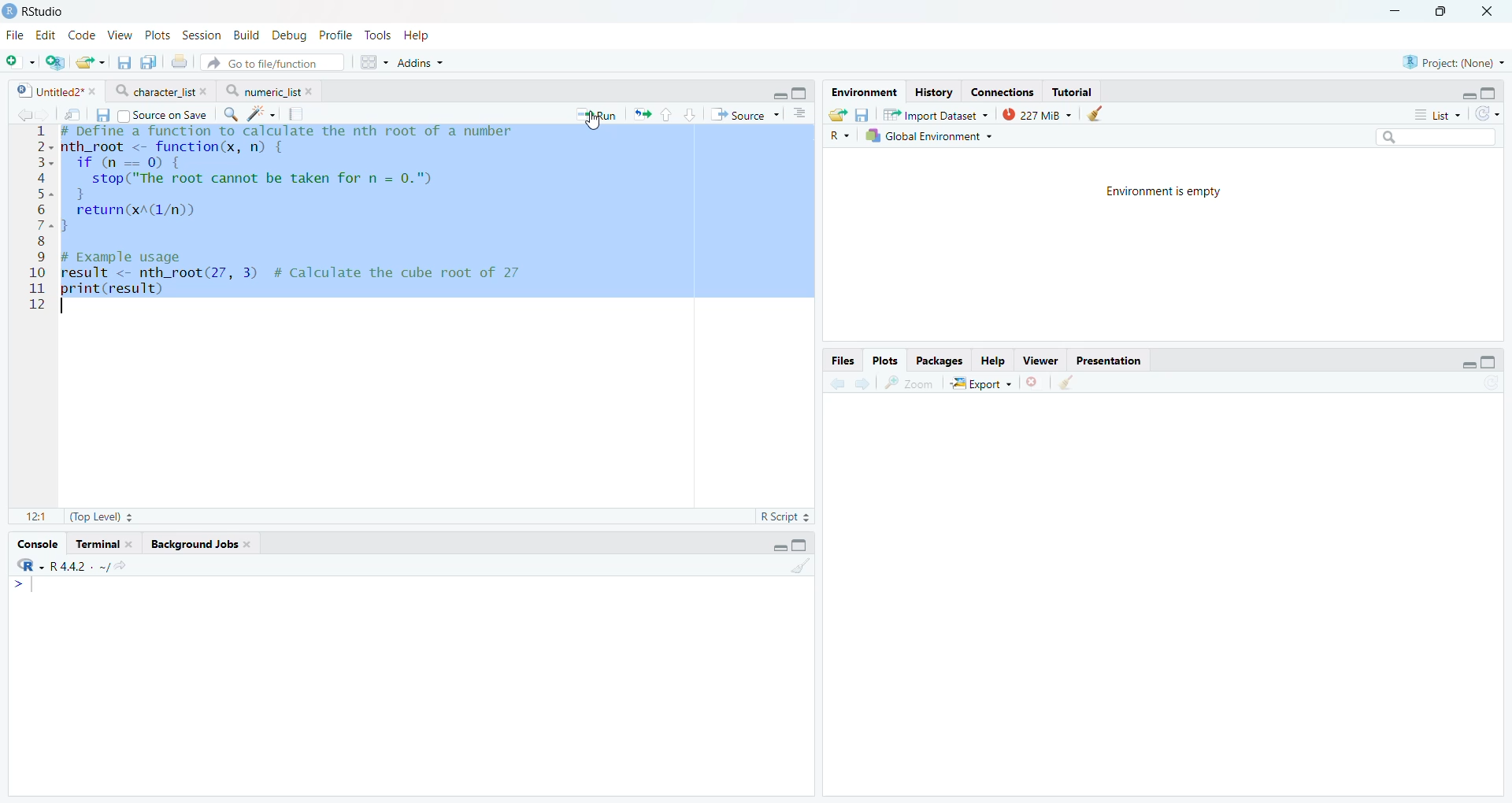 The image size is (1512, 803). I want to click on Packages, so click(941, 361).